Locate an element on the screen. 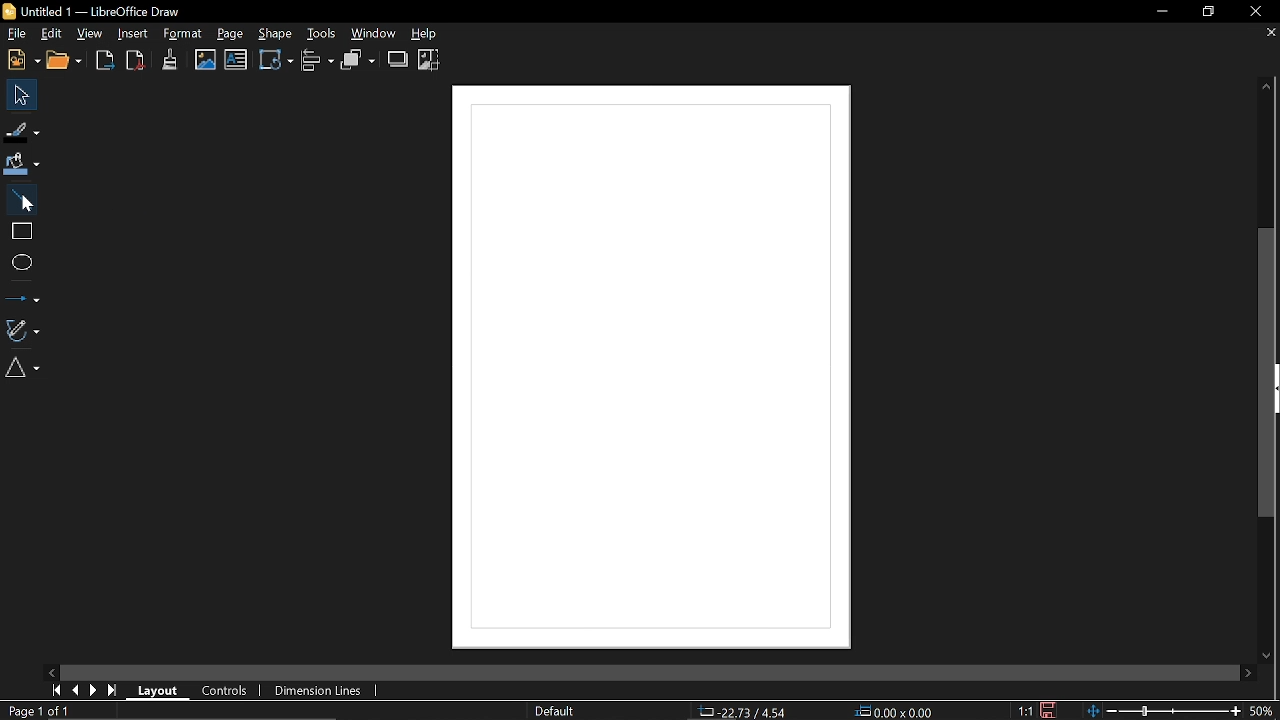  Tools is located at coordinates (321, 34).